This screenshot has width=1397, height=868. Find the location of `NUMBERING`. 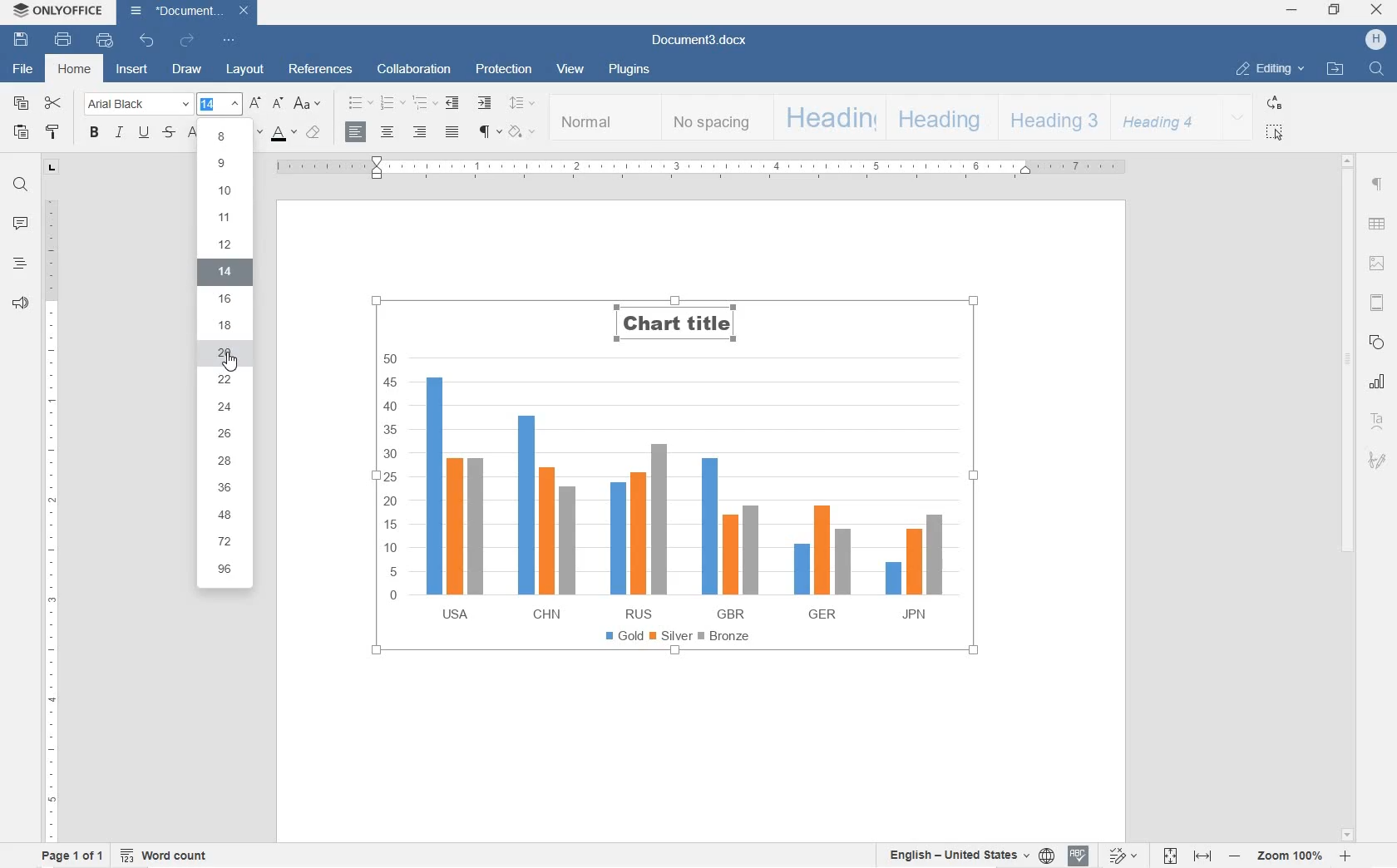

NUMBERING is located at coordinates (392, 104).